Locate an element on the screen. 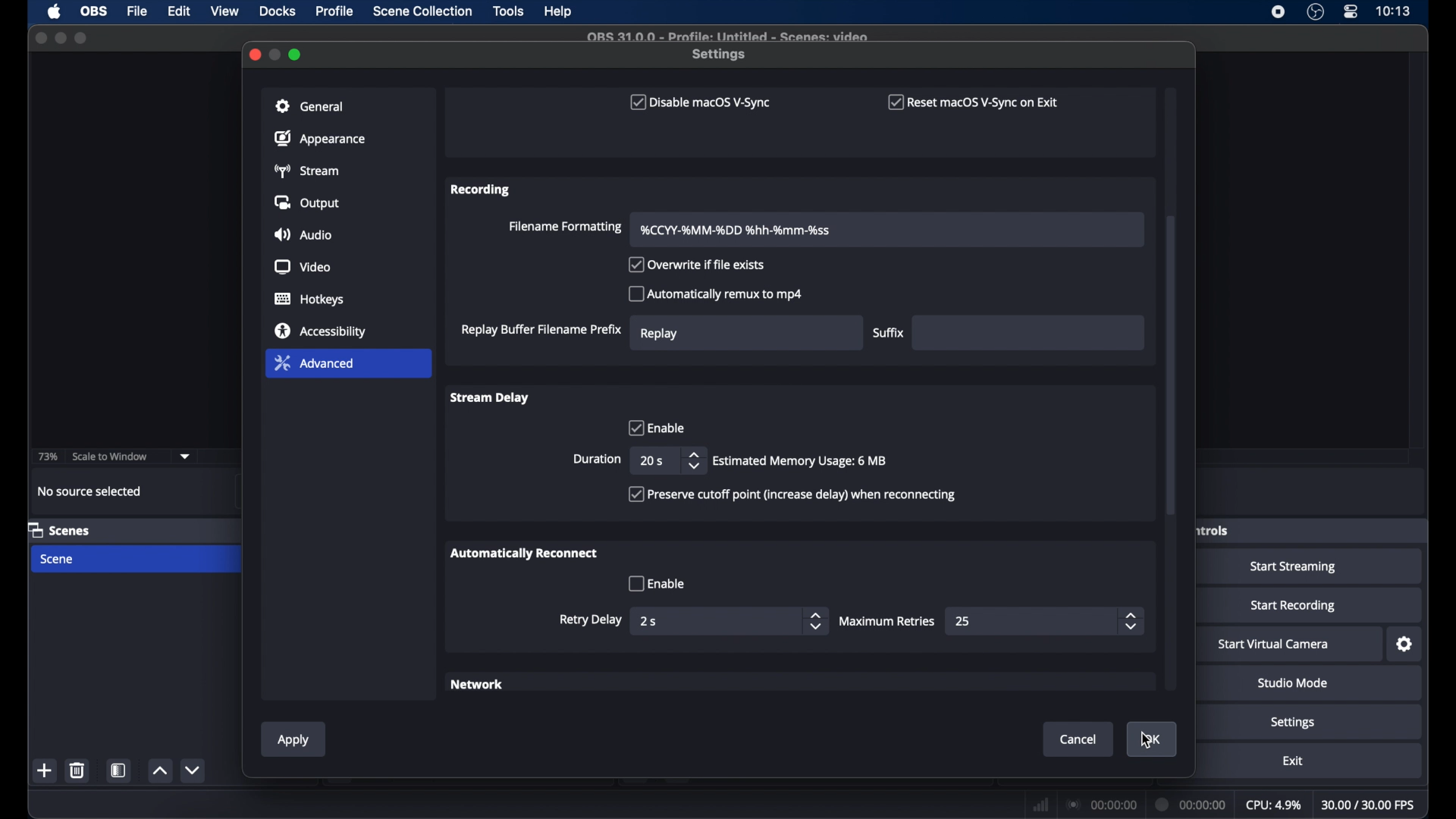 The image size is (1456, 819). exit is located at coordinates (1294, 761).